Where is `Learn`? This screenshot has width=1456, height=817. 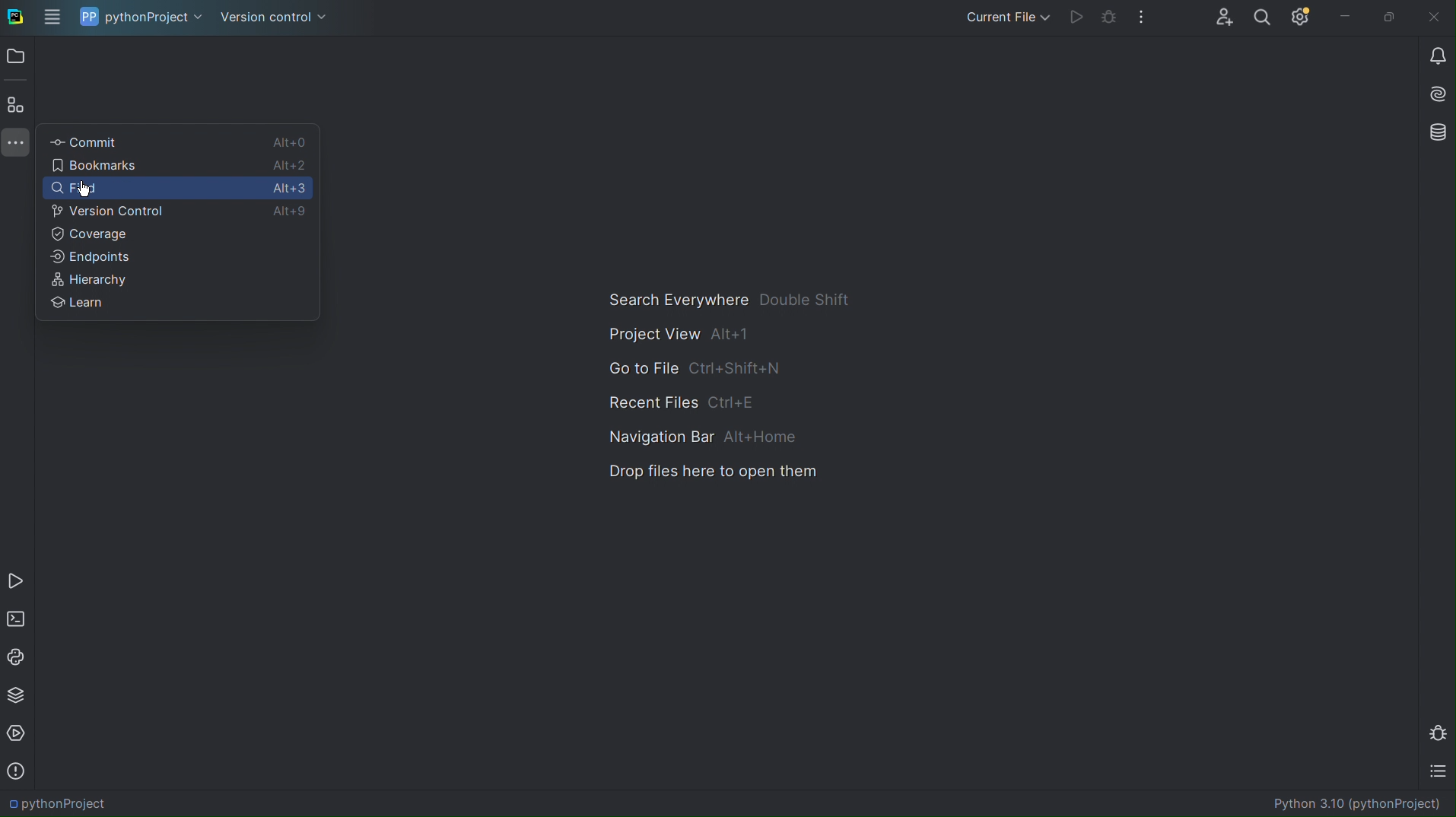
Learn is located at coordinates (78, 301).